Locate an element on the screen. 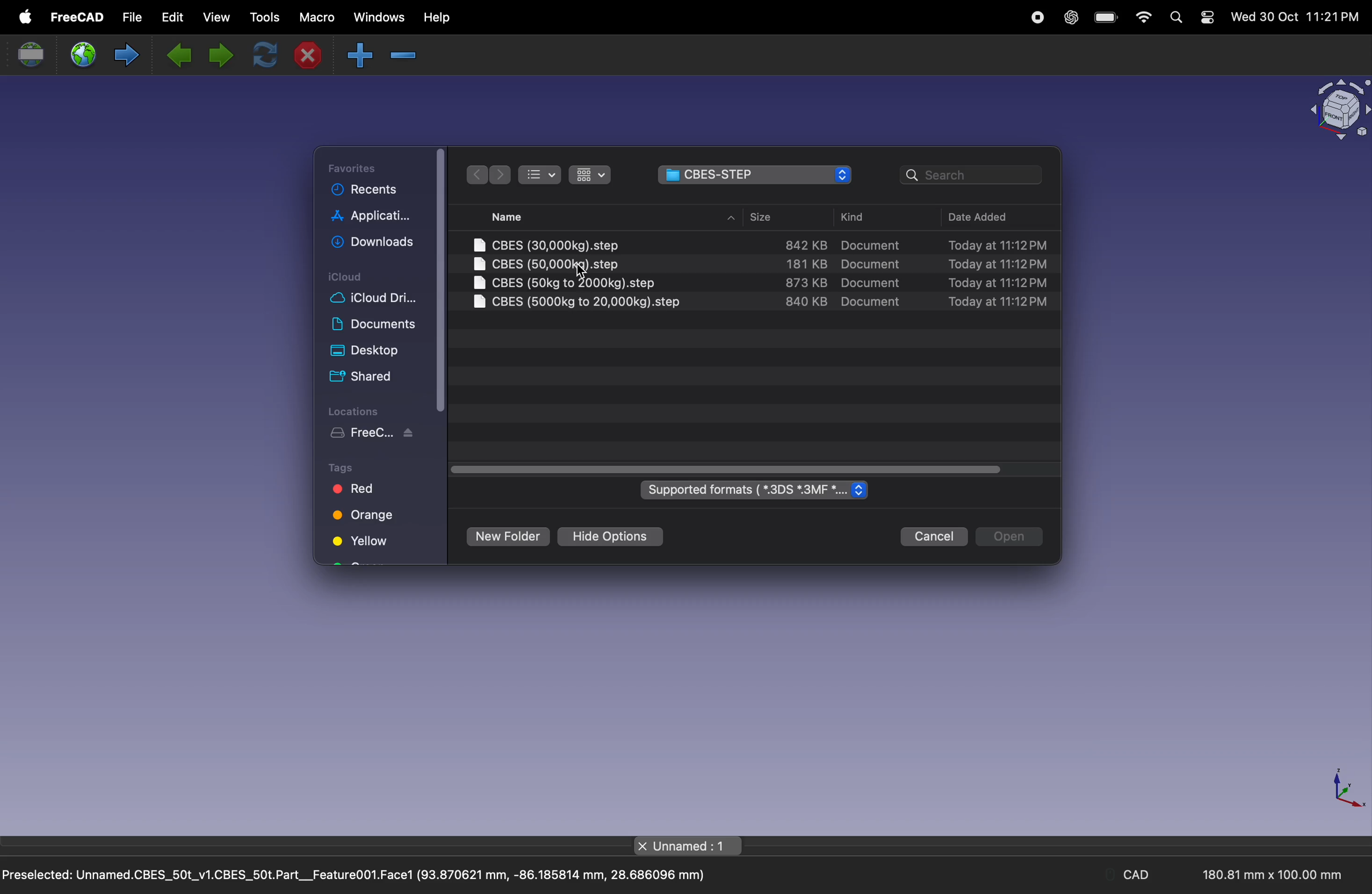 Image resolution: width=1372 pixels, height=894 pixels. free work is located at coordinates (374, 433).